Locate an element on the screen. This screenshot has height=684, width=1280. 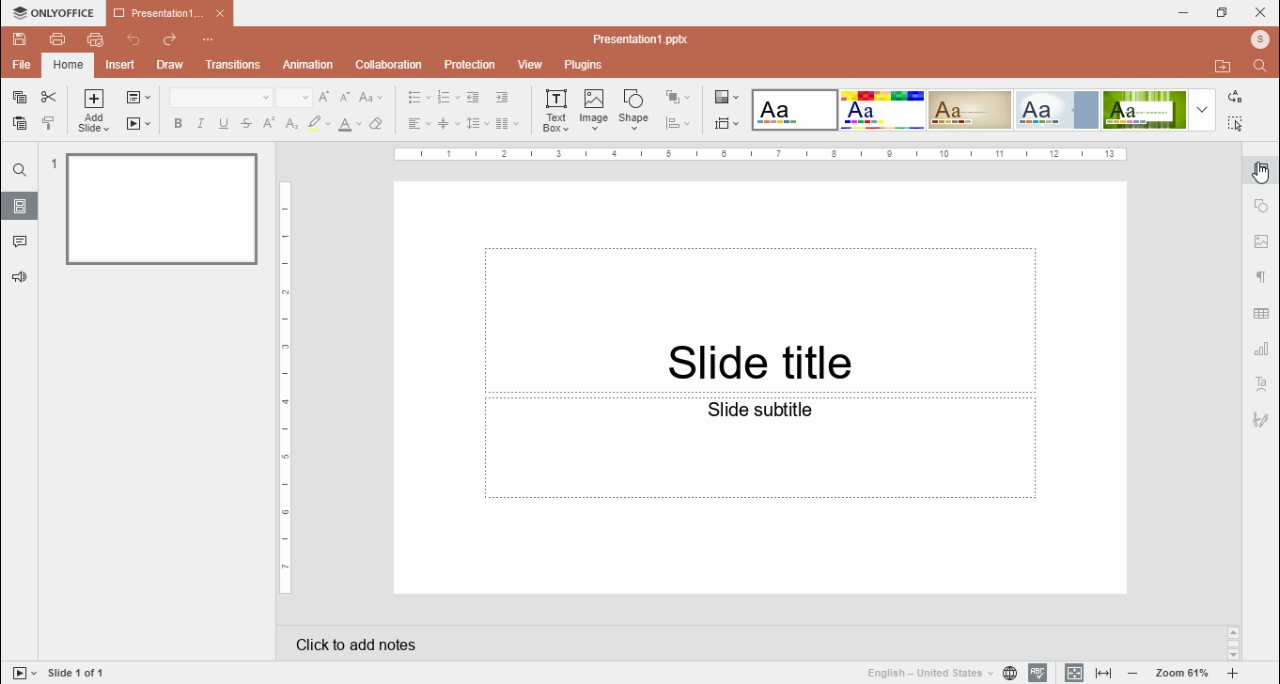
numbering is located at coordinates (448, 97).